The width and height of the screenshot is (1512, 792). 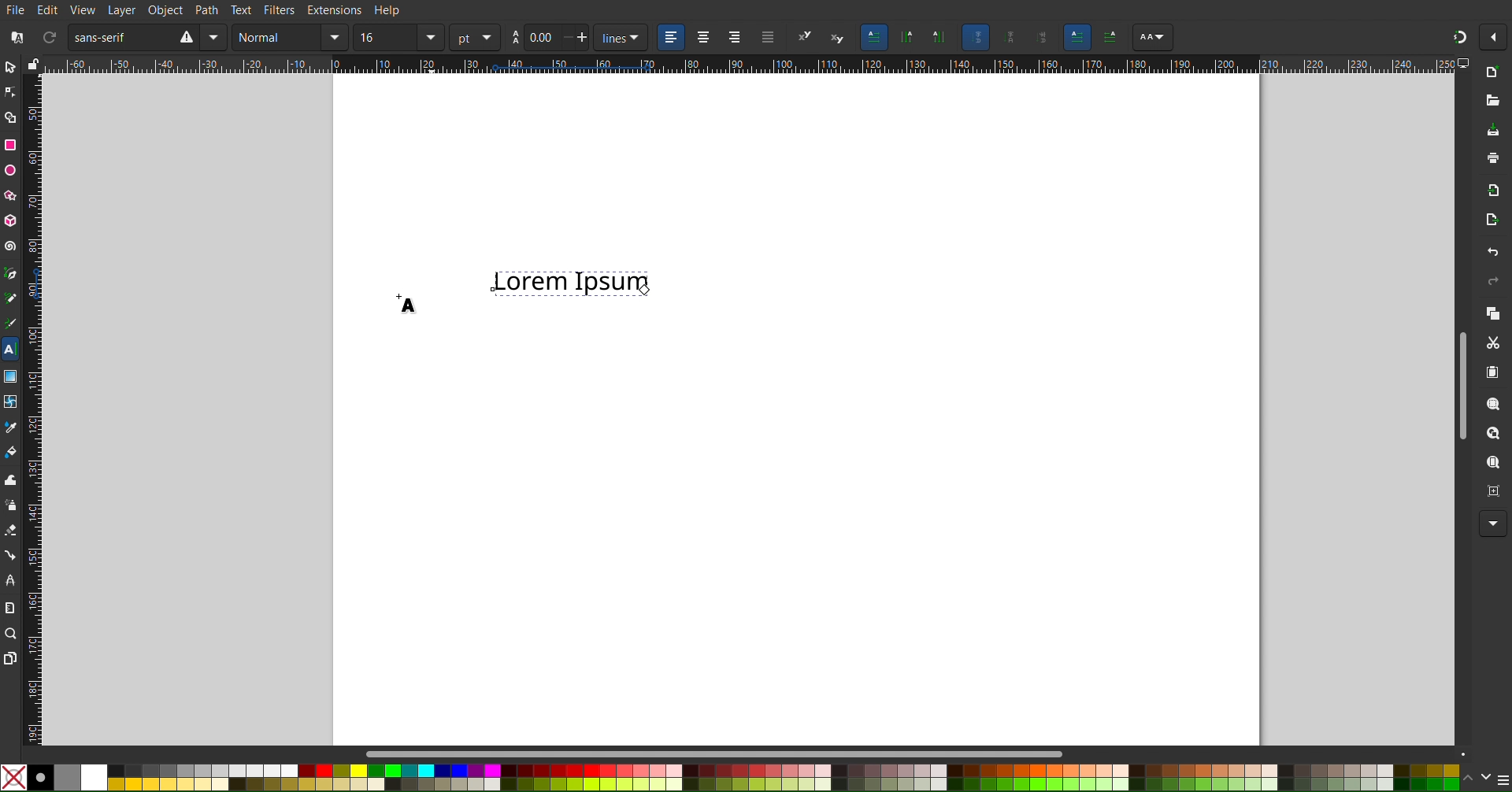 I want to click on refresh, so click(x=47, y=35).